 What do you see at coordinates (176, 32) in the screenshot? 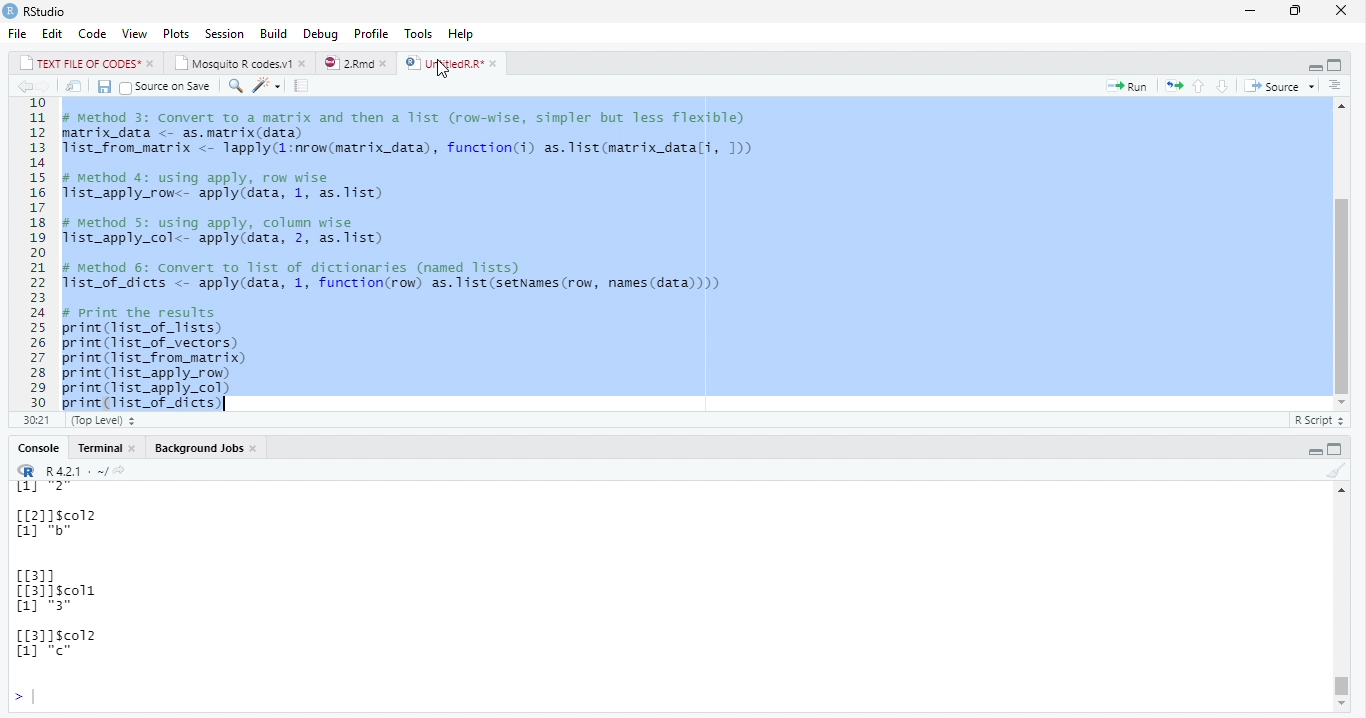
I see `Plots` at bounding box center [176, 32].